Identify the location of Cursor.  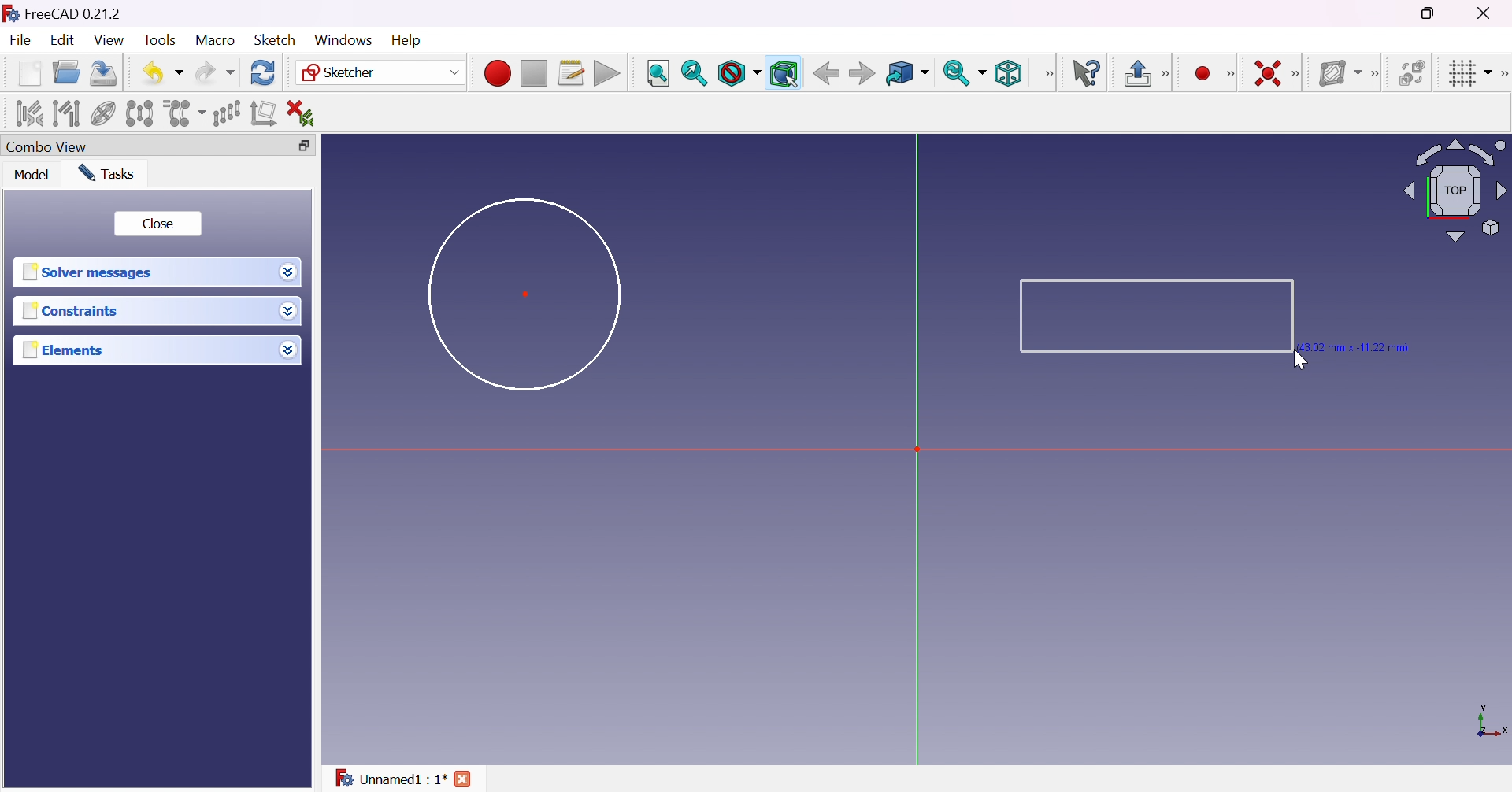
(1303, 363).